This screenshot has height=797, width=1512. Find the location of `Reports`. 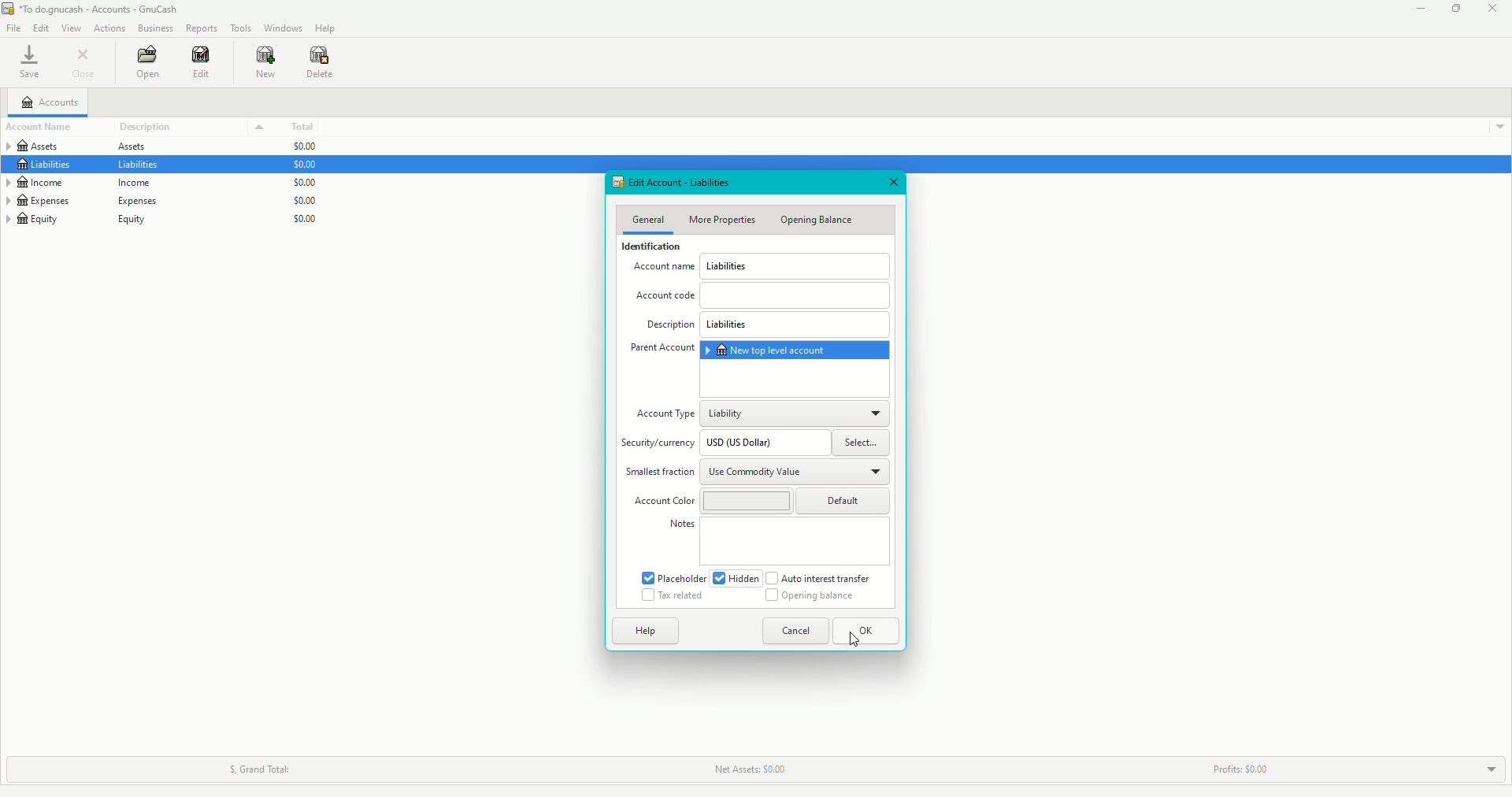

Reports is located at coordinates (202, 28).